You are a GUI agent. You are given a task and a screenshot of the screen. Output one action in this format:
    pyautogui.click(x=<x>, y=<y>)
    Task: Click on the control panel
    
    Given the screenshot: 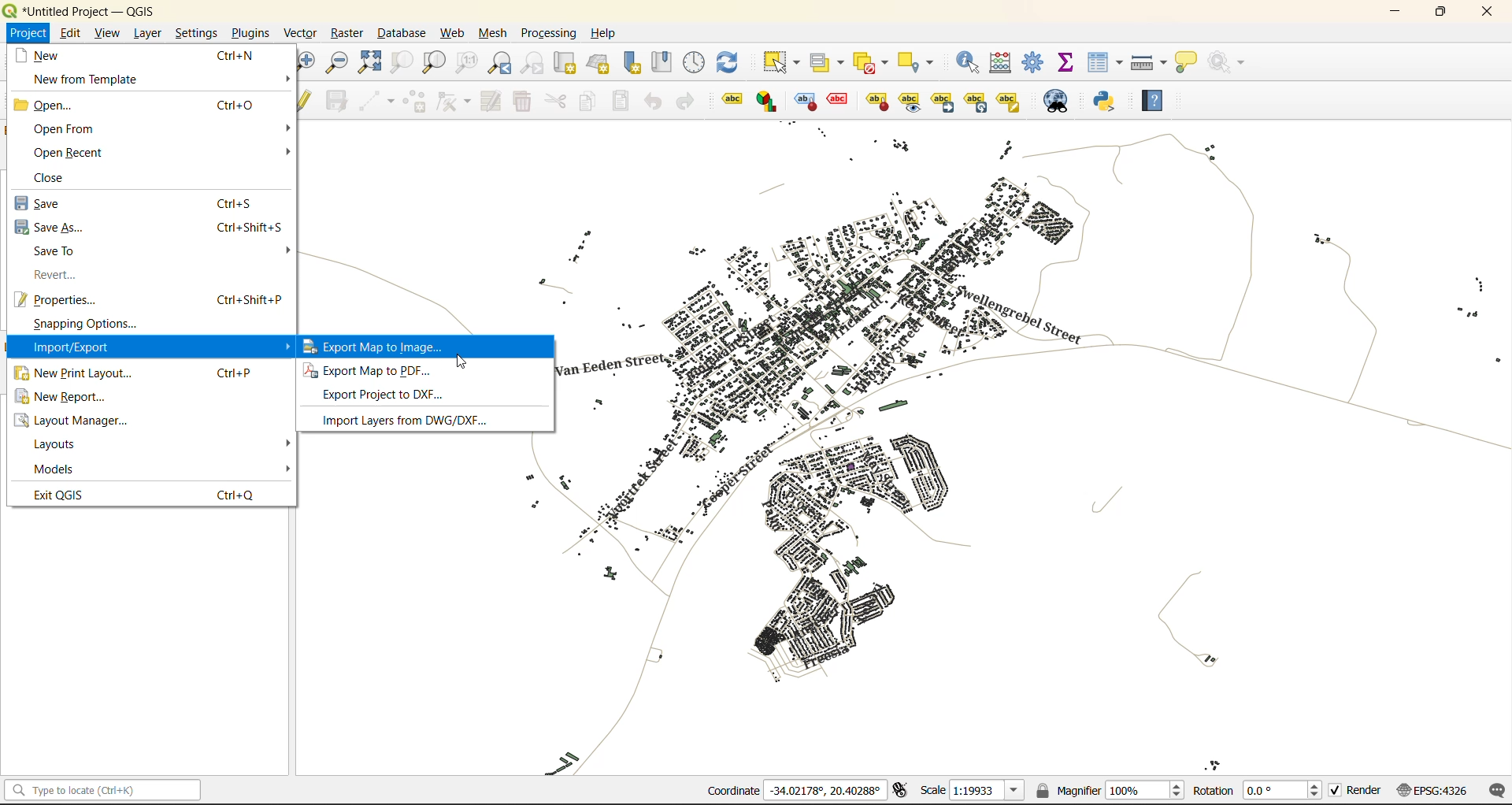 What is the action you would take?
    pyautogui.click(x=696, y=63)
    